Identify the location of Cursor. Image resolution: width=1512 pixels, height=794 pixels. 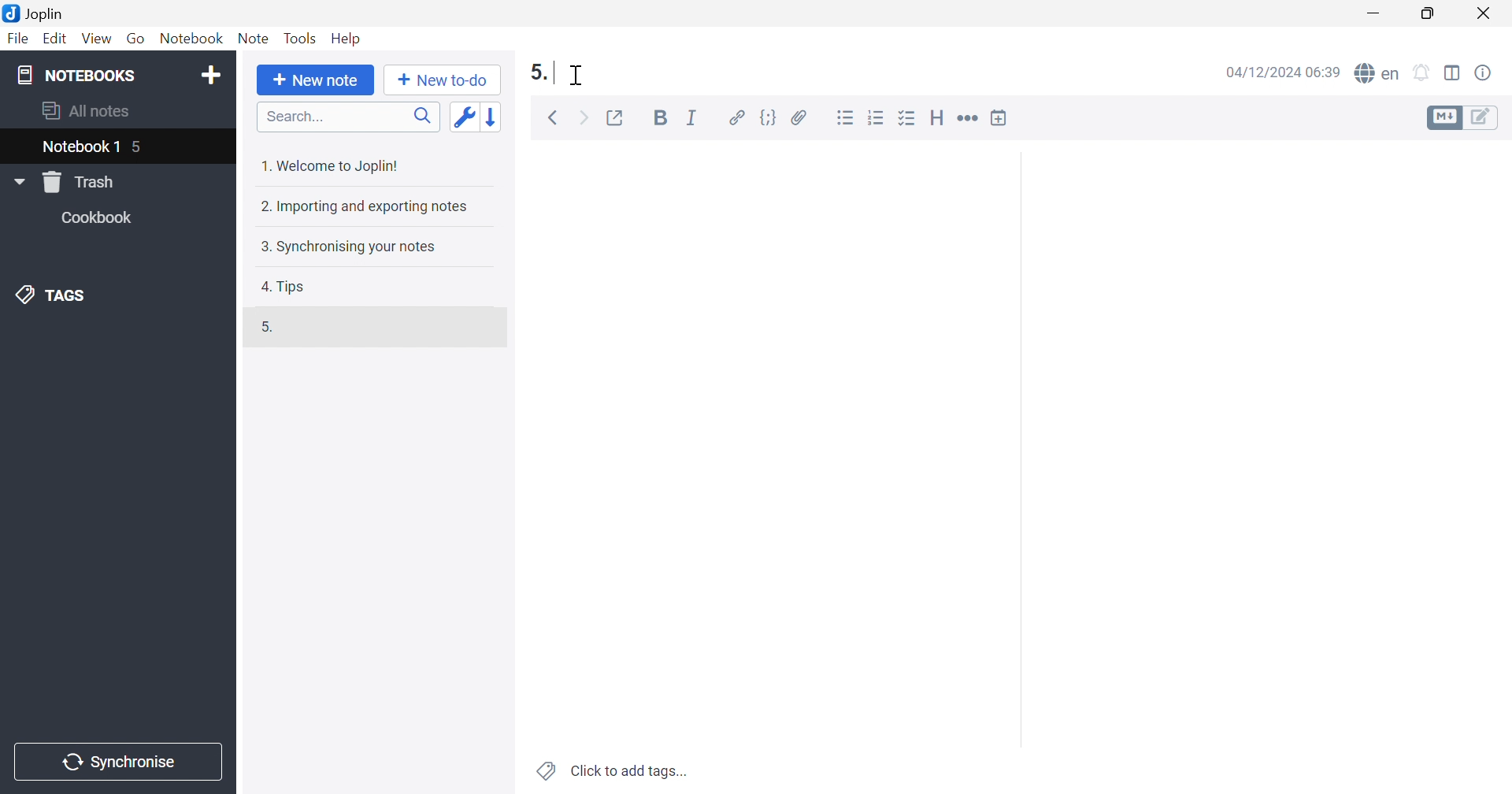
(578, 72).